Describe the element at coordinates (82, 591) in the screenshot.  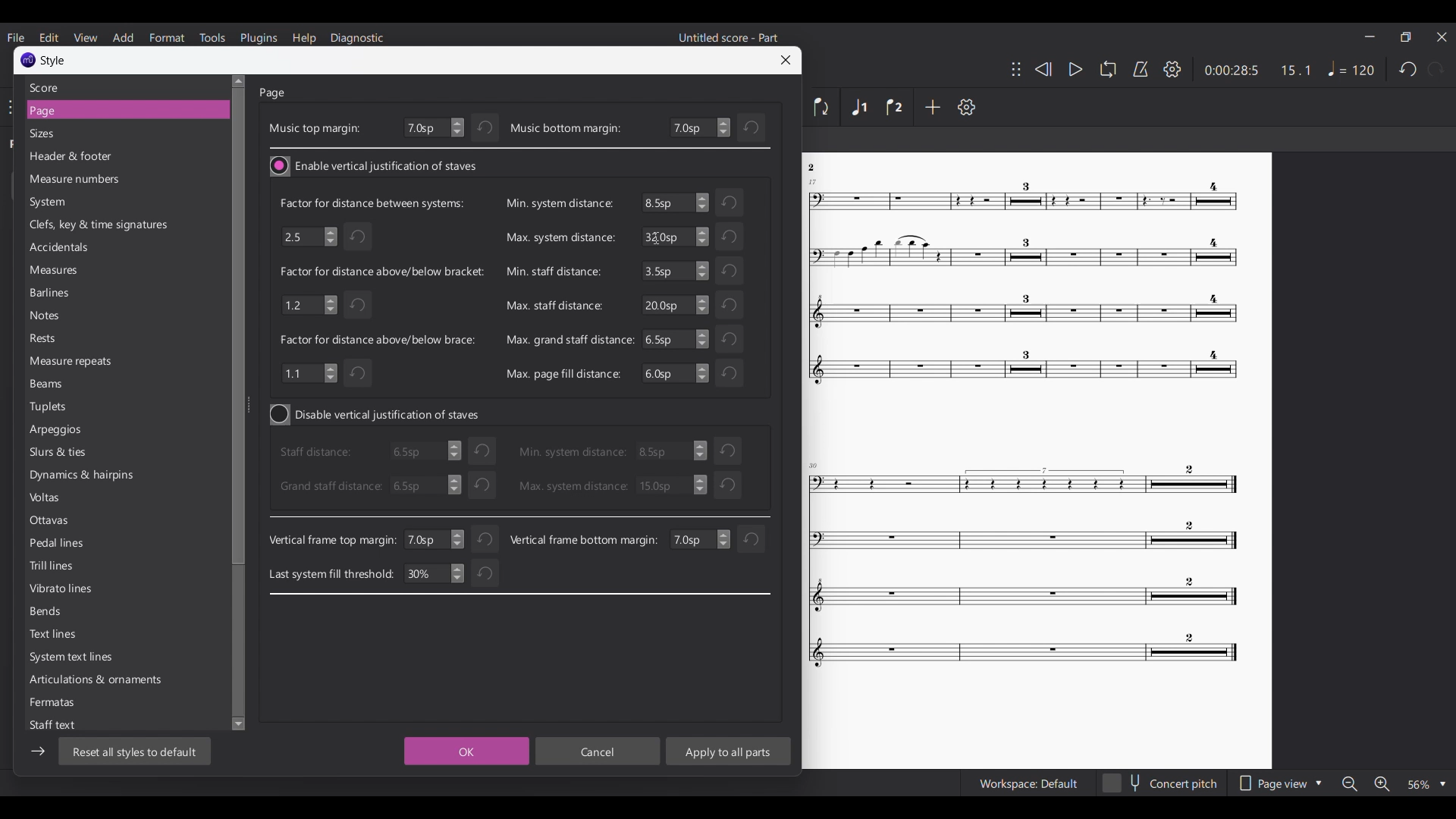
I see `Vibrato lines` at that location.